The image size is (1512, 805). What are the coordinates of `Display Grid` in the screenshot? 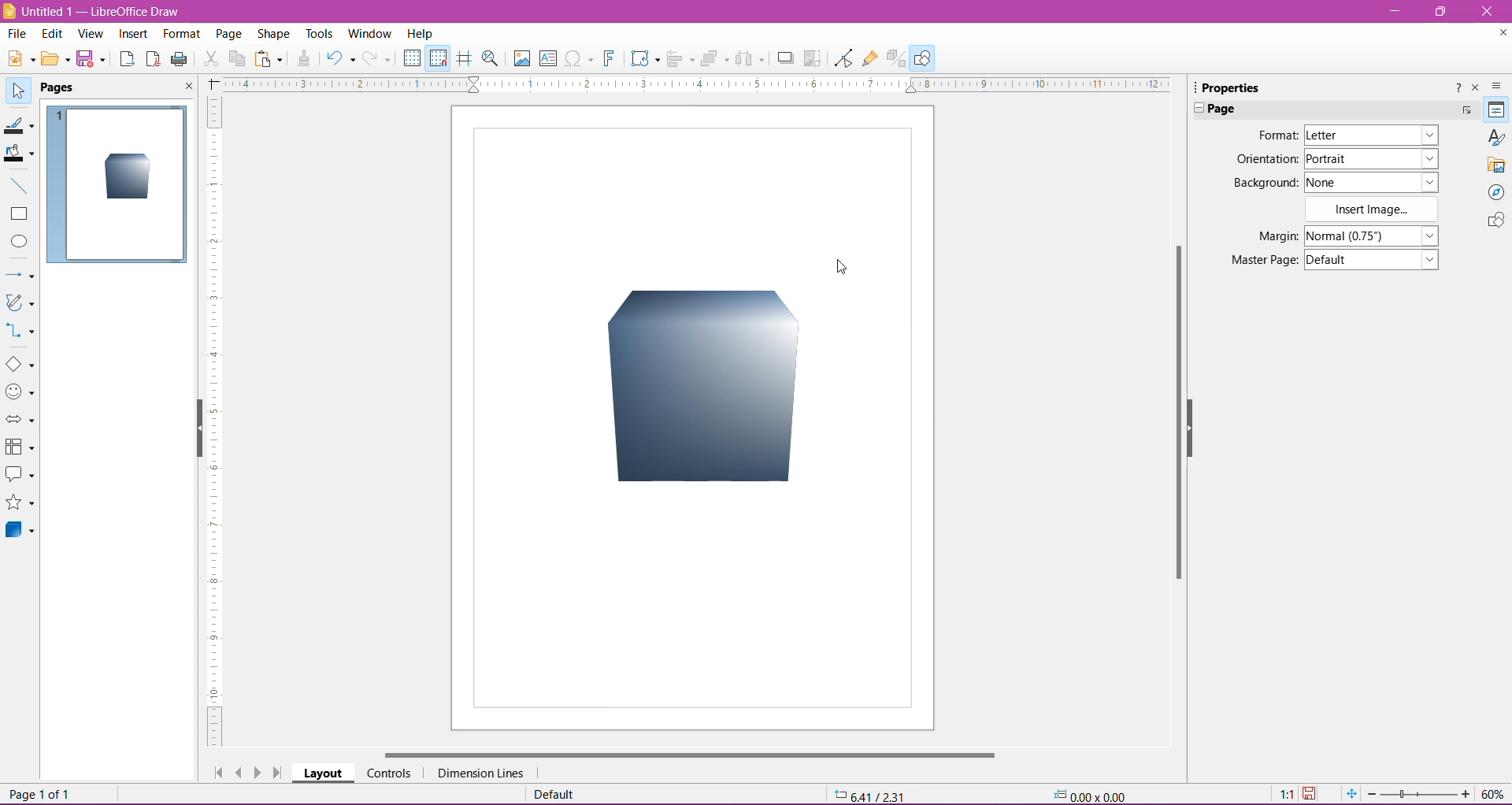 It's located at (412, 58).